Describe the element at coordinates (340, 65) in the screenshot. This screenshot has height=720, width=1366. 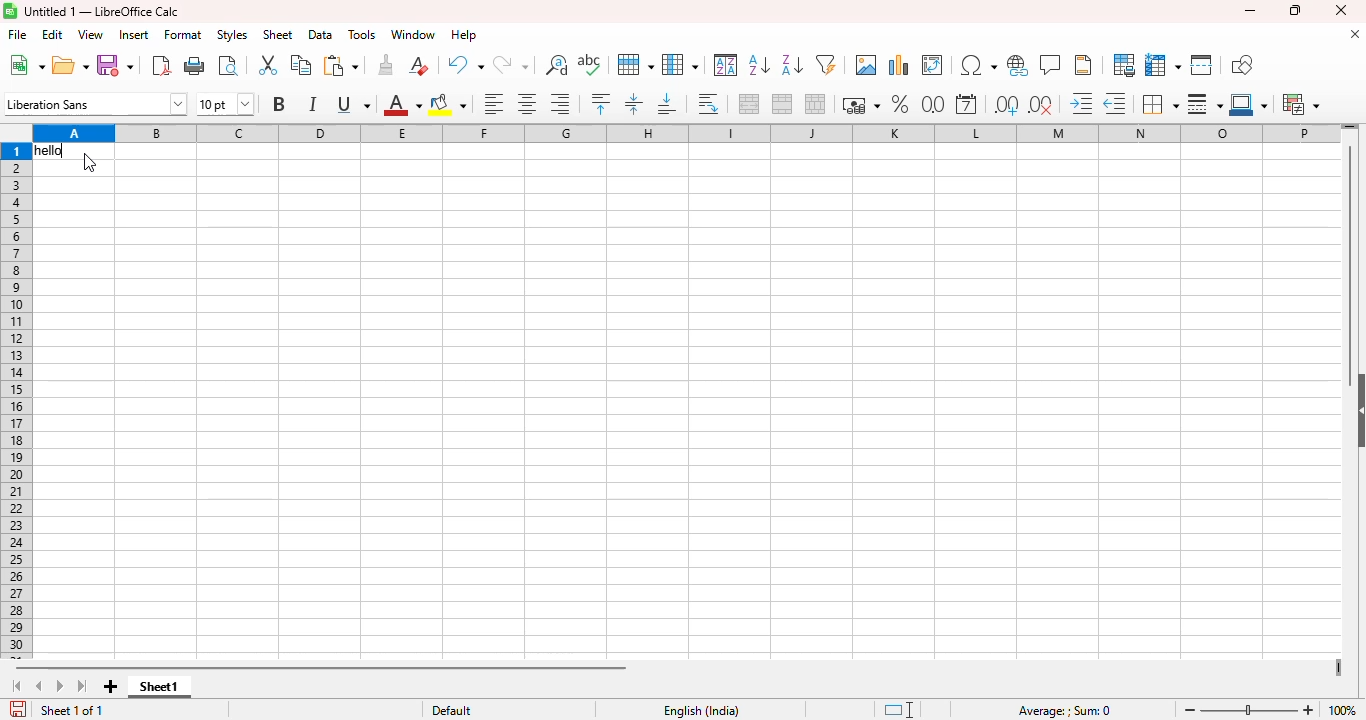
I see `paste` at that location.